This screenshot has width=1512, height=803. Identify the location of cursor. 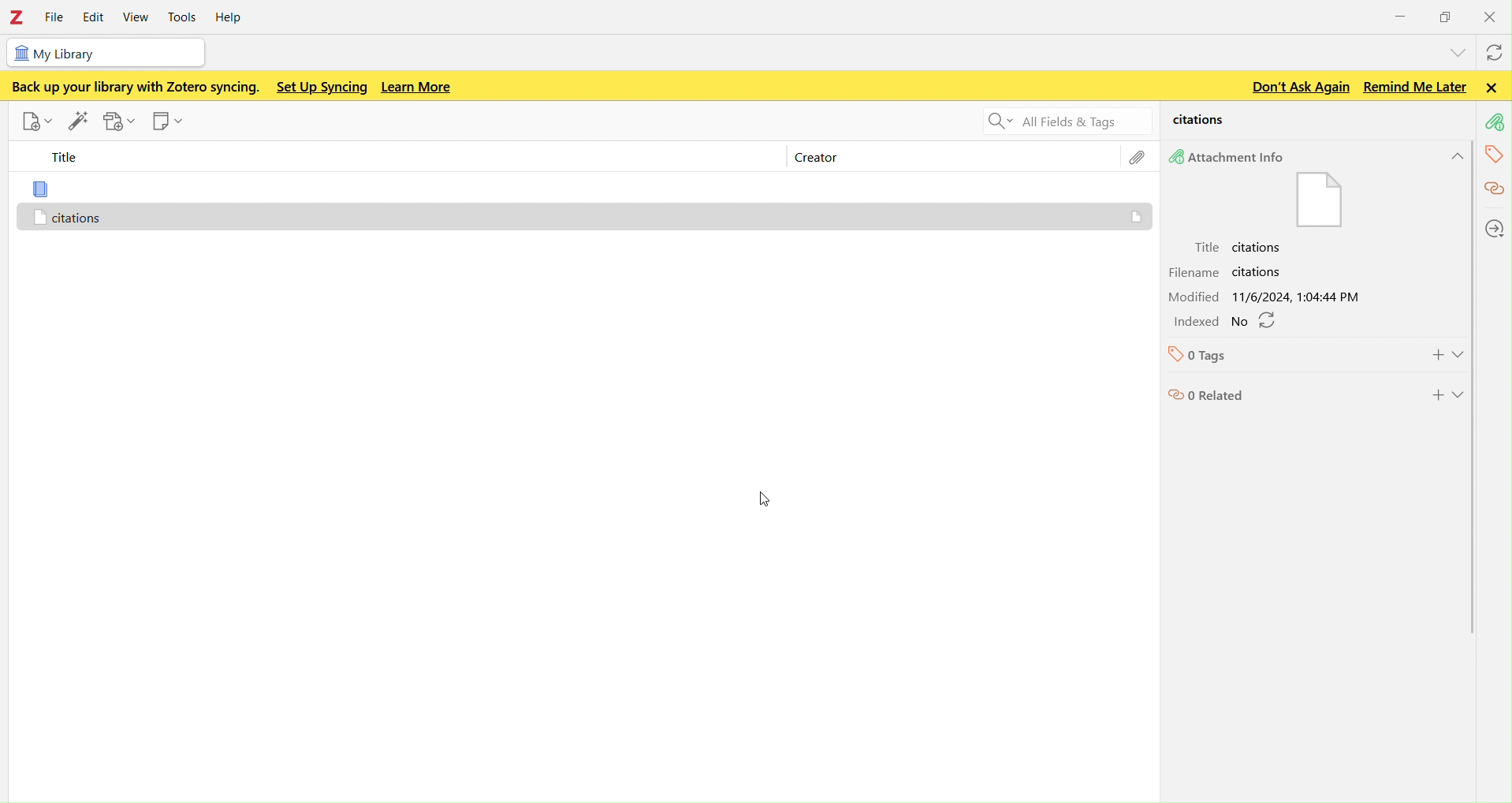
(767, 500).